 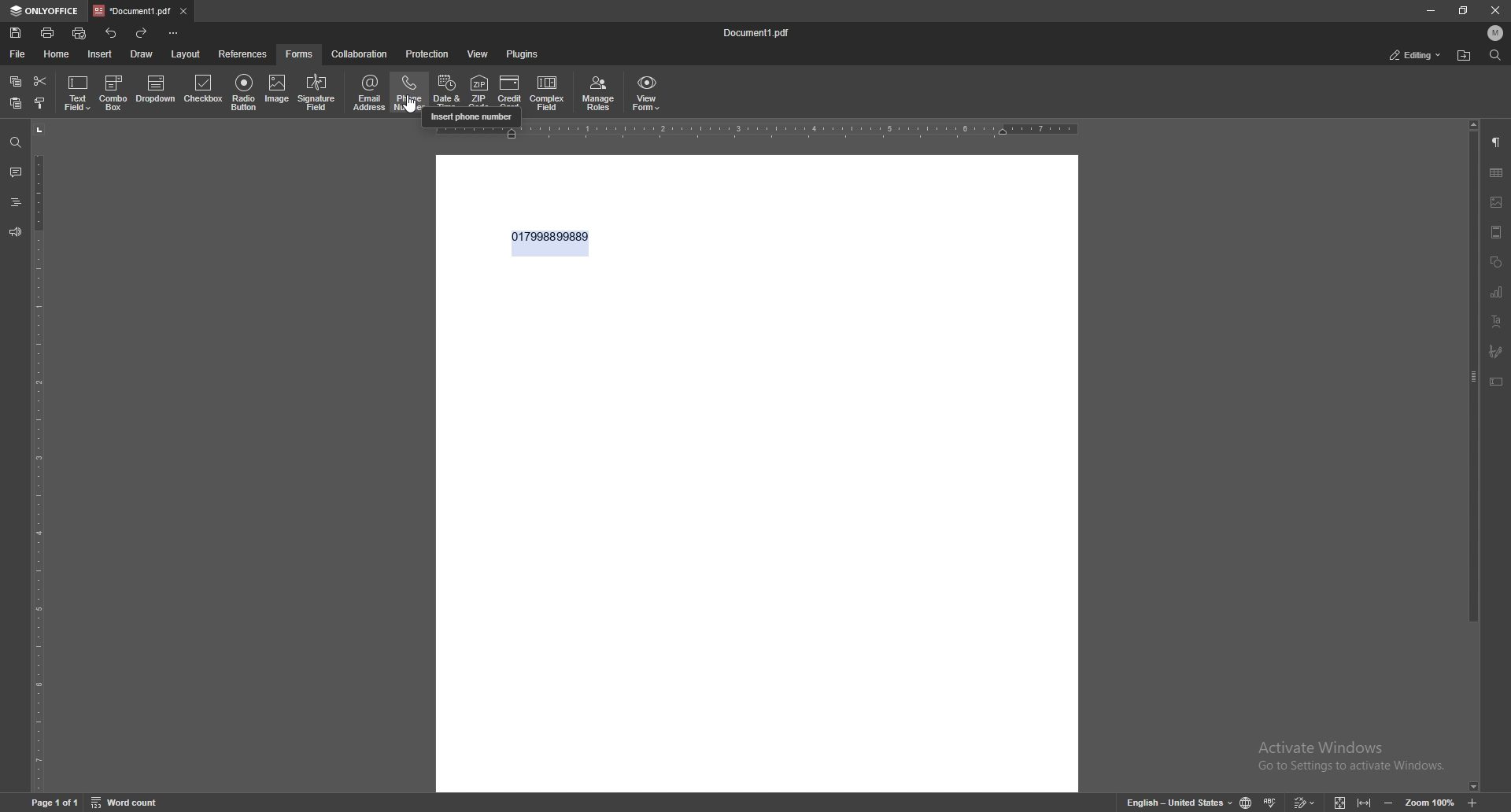 What do you see at coordinates (142, 33) in the screenshot?
I see `redo` at bounding box center [142, 33].